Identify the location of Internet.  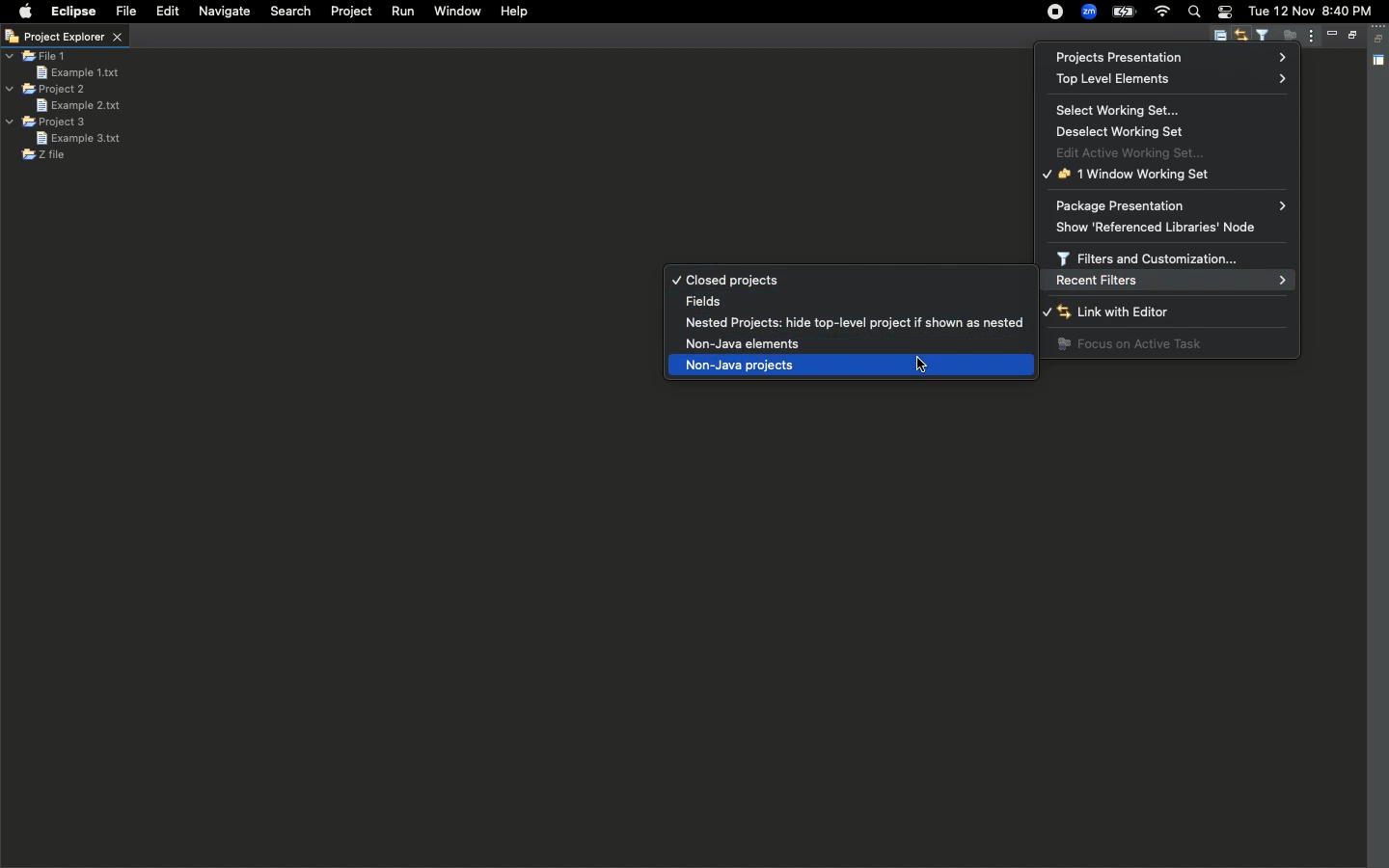
(1162, 12).